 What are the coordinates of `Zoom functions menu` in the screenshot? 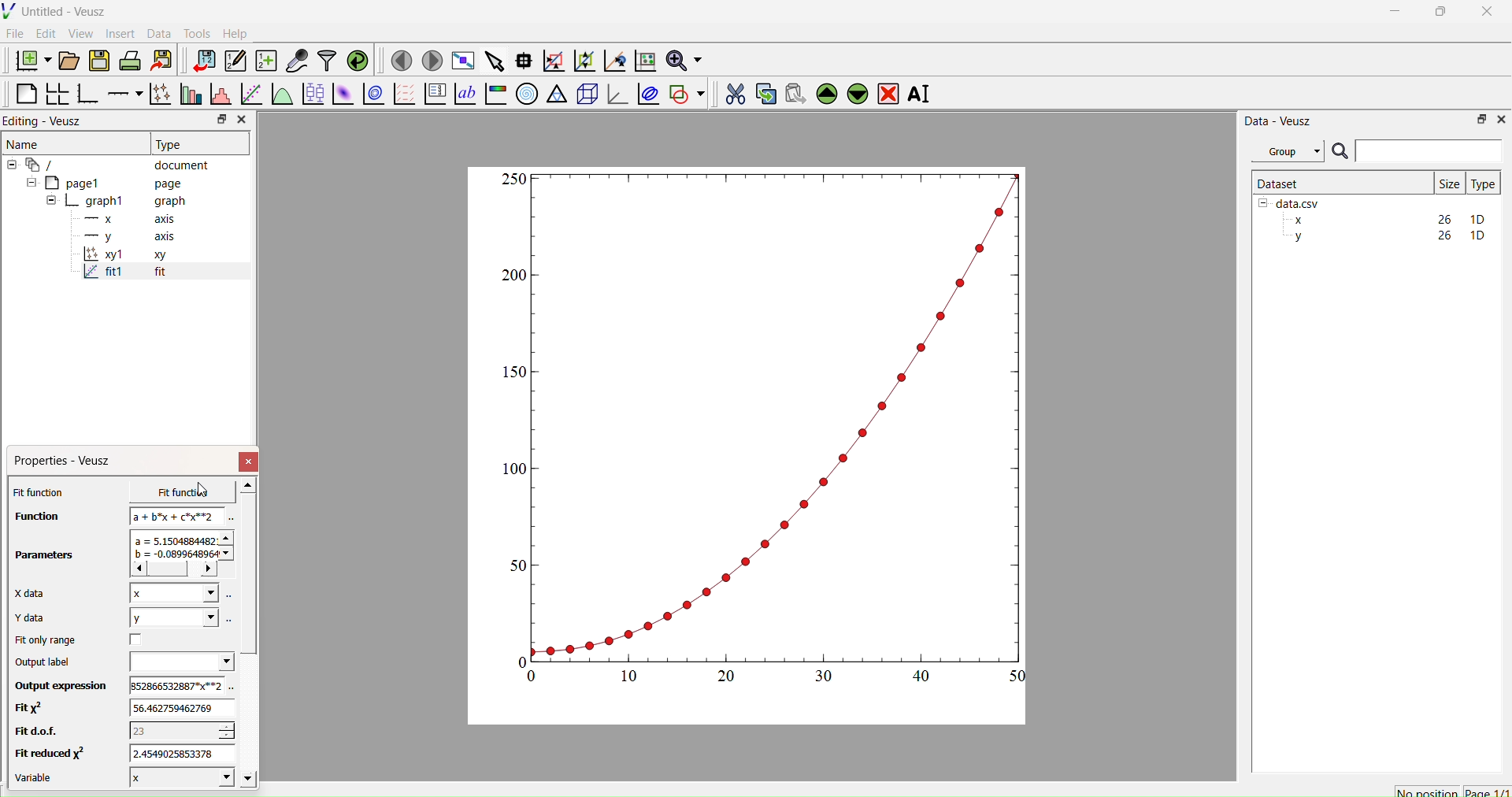 It's located at (683, 58).